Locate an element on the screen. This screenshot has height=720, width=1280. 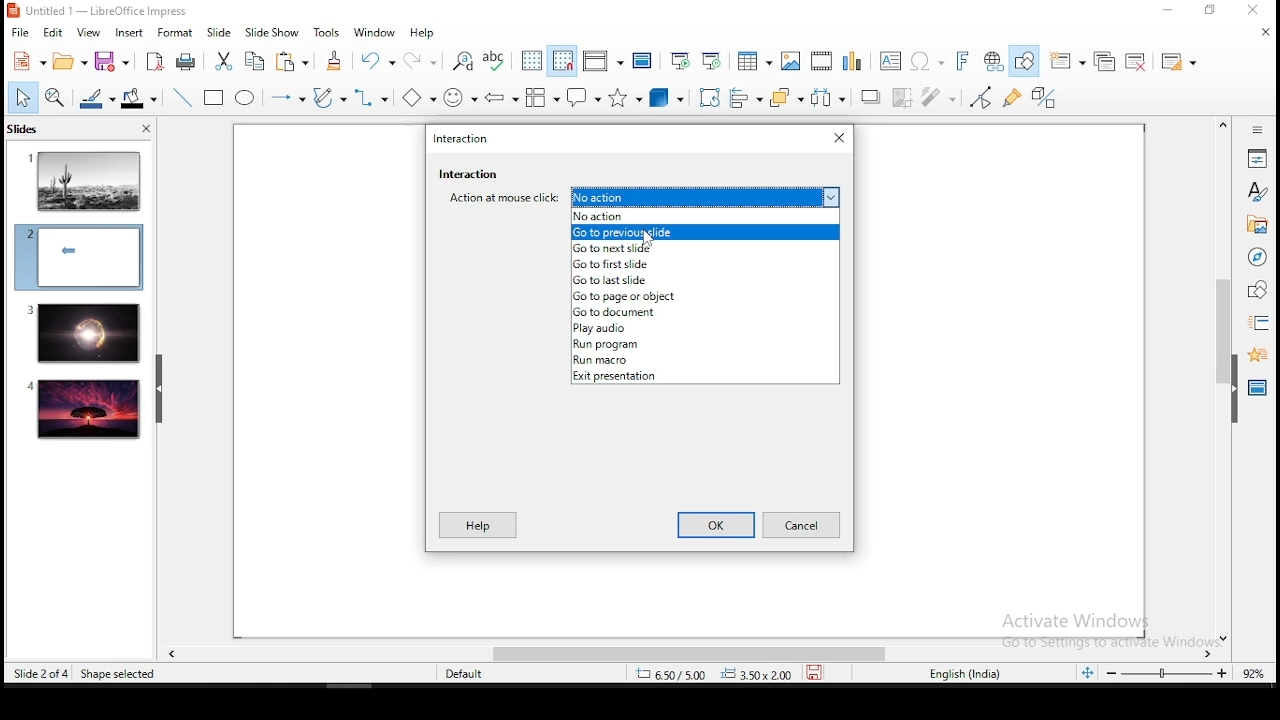
images is located at coordinates (789, 61).